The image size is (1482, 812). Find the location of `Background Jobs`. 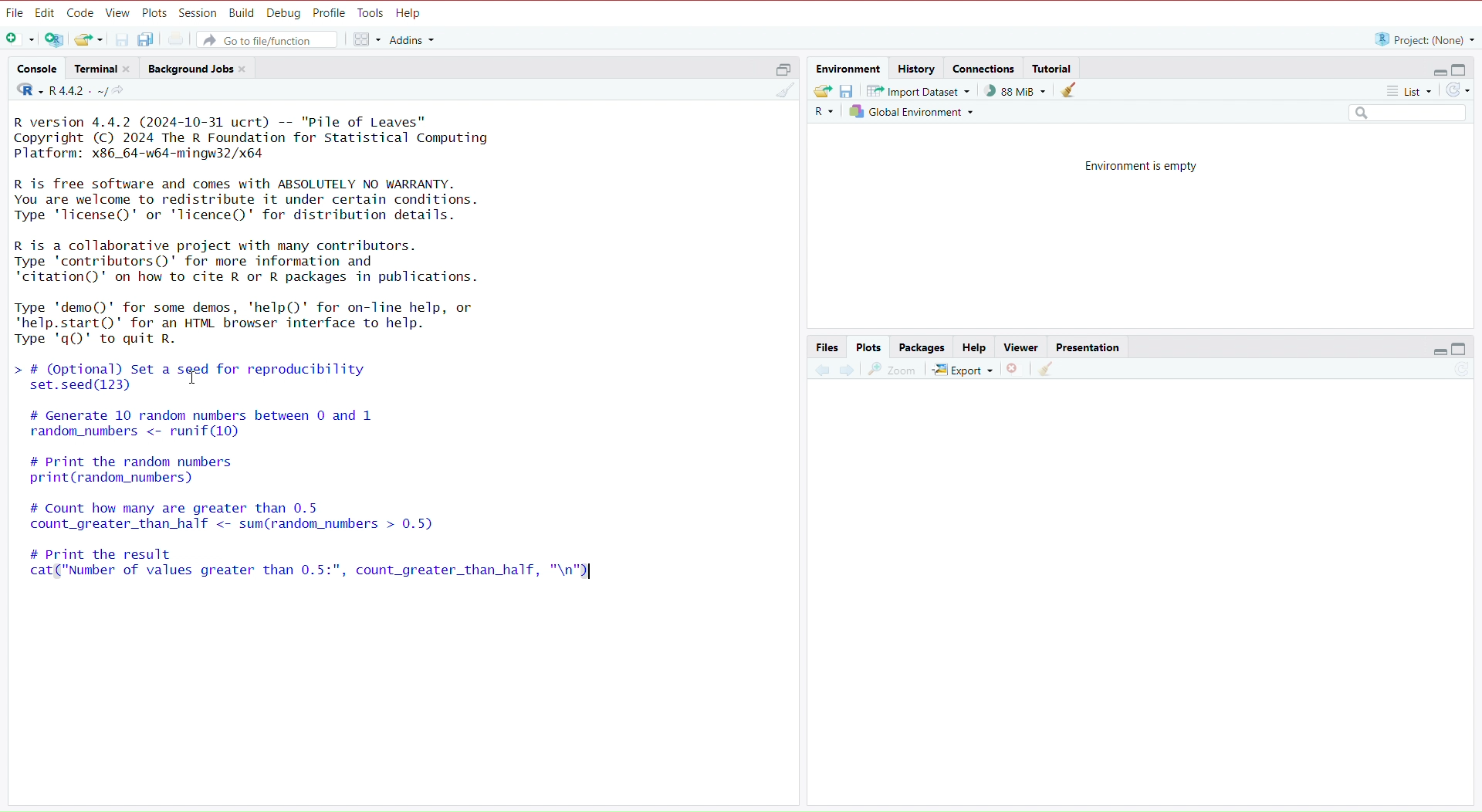

Background Jobs is located at coordinates (197, 67).